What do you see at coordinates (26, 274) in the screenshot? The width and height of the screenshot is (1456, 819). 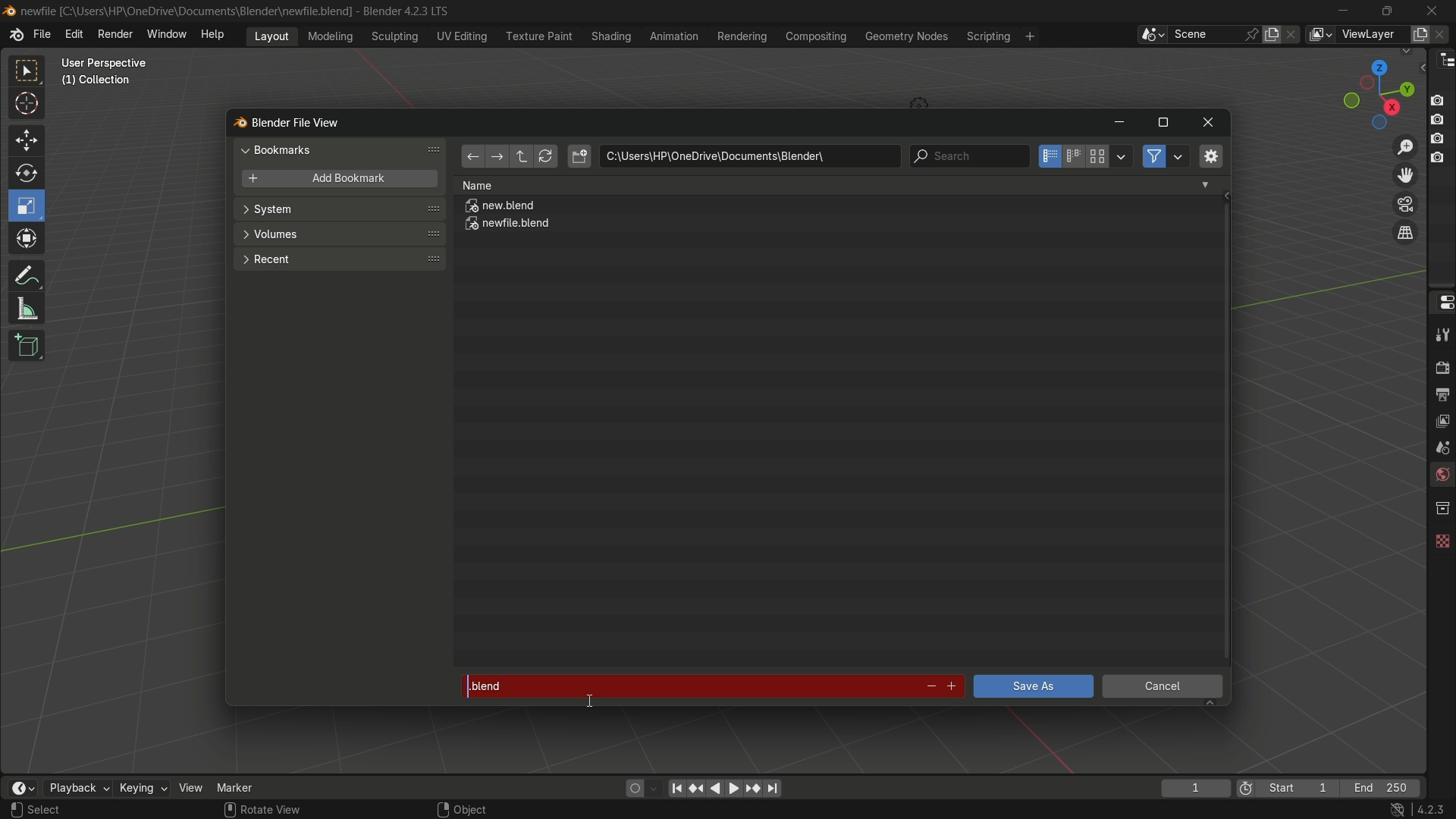 I see `annotate` at bounding box center [26, 274].